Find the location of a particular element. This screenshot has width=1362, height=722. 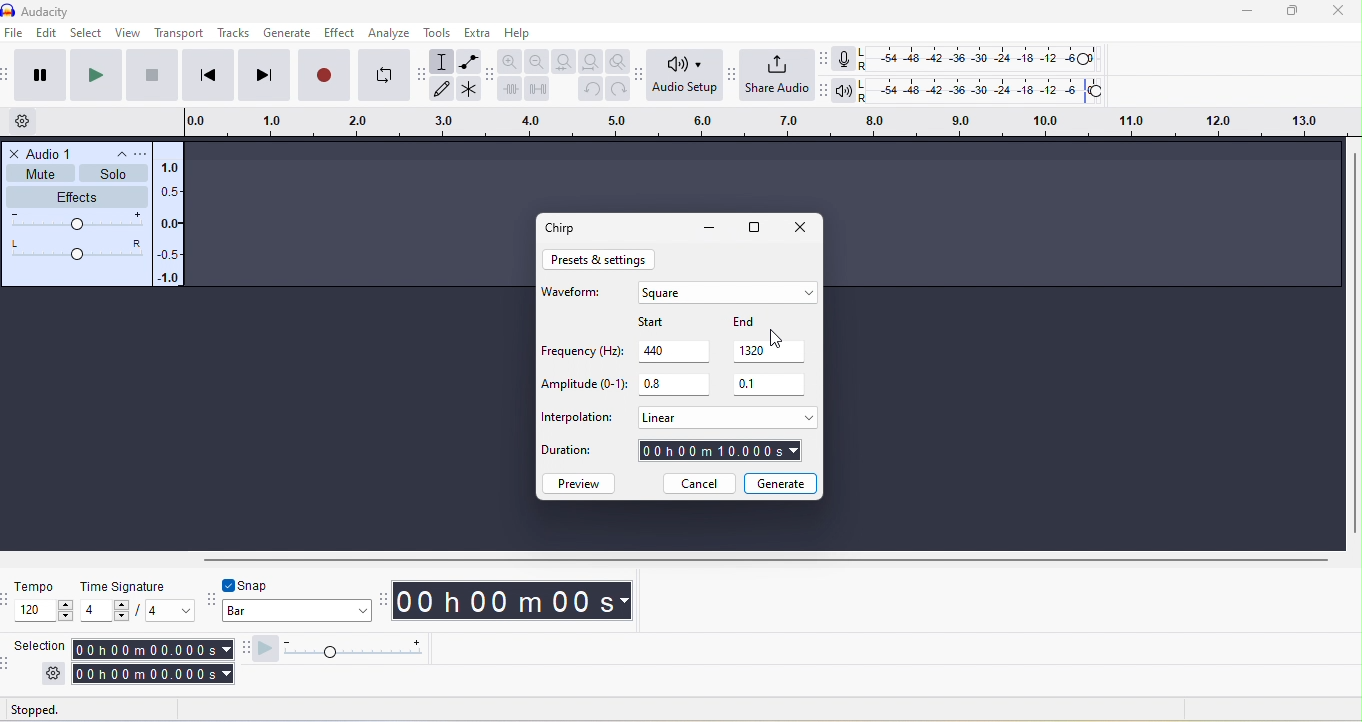

selection is located at coordinates (39, 645).